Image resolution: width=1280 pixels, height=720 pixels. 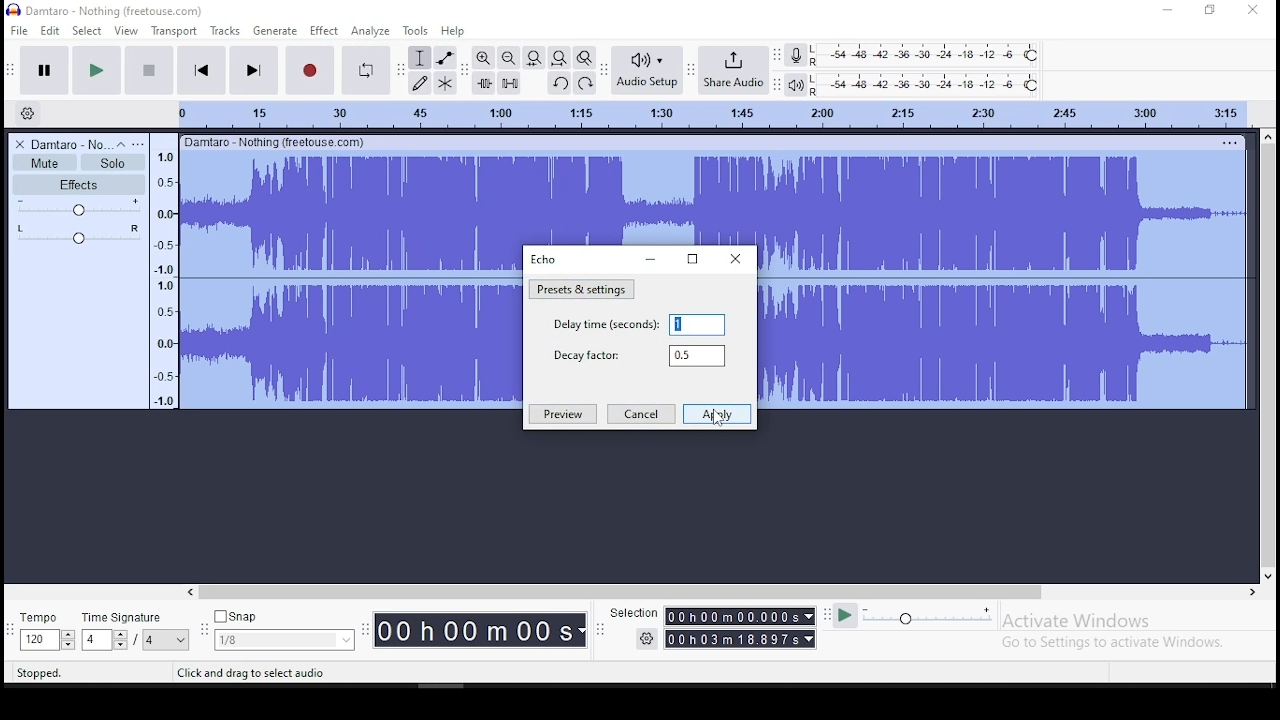 I want to click on stop, so click(x=149, y=69).